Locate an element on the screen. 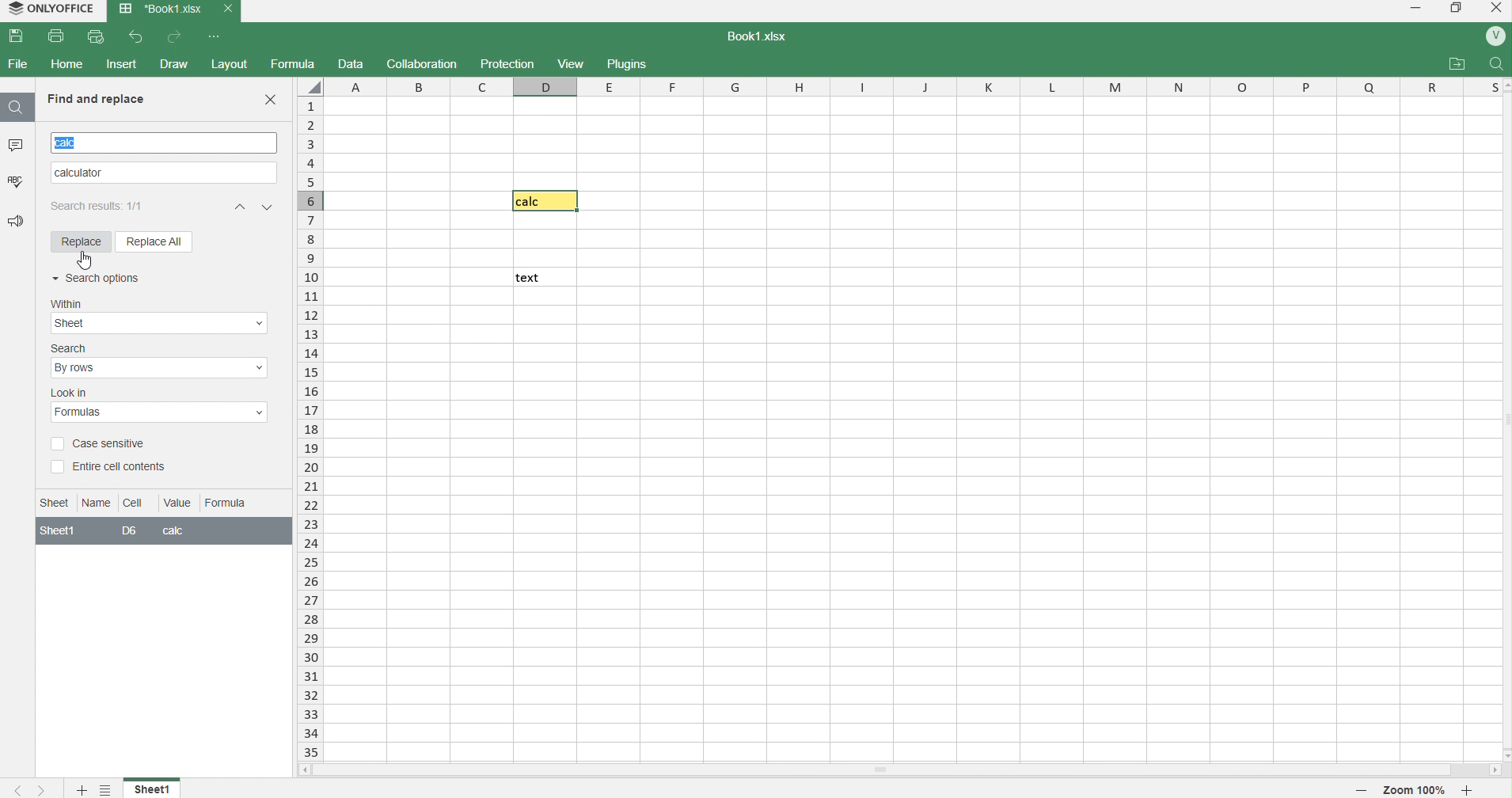 The width and height of the screenshot is (1512, 798). search is located at coordinates (1498, 63).